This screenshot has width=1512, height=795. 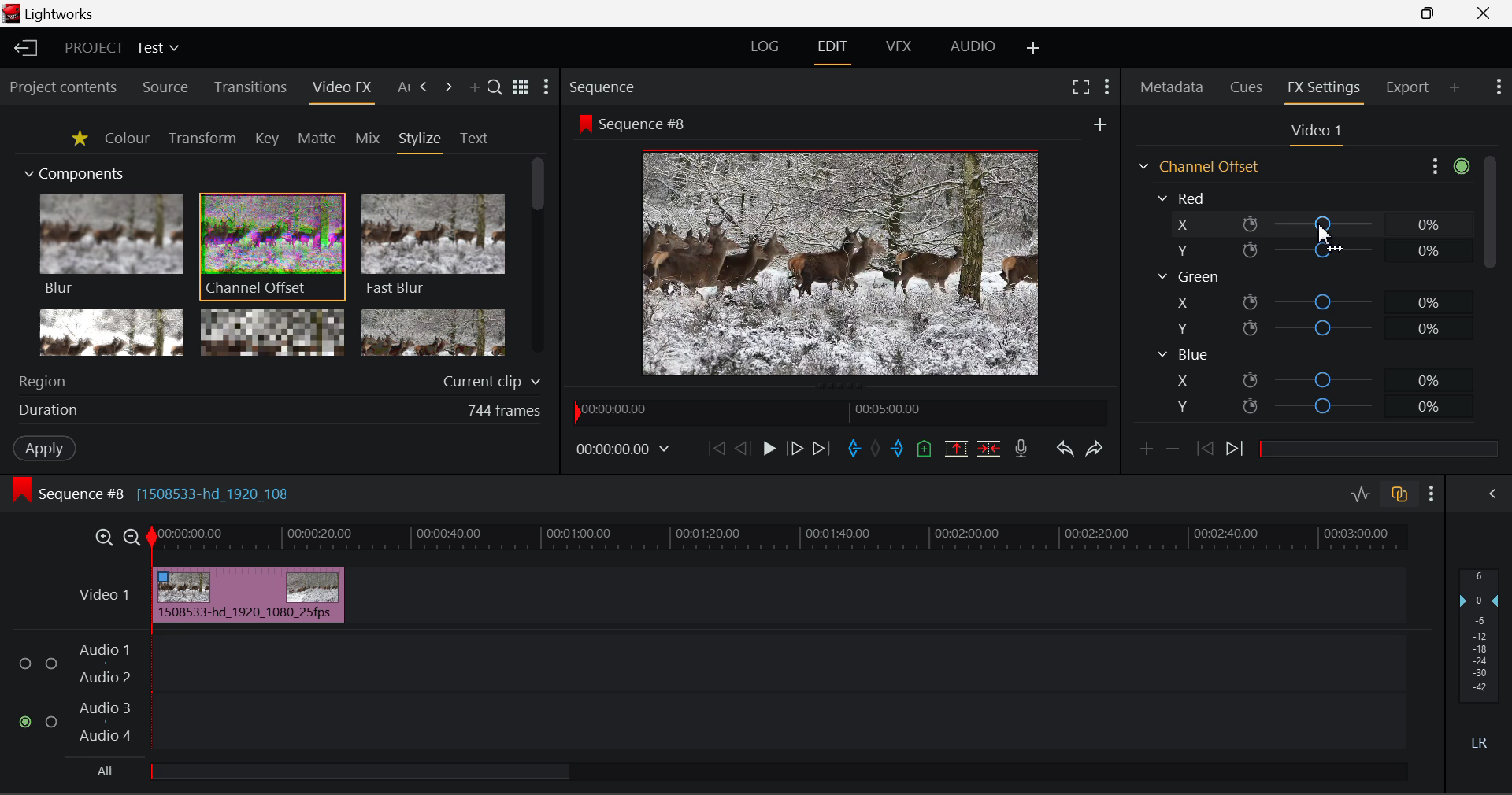 I want to click on Matte, so click(x=317, y=139).